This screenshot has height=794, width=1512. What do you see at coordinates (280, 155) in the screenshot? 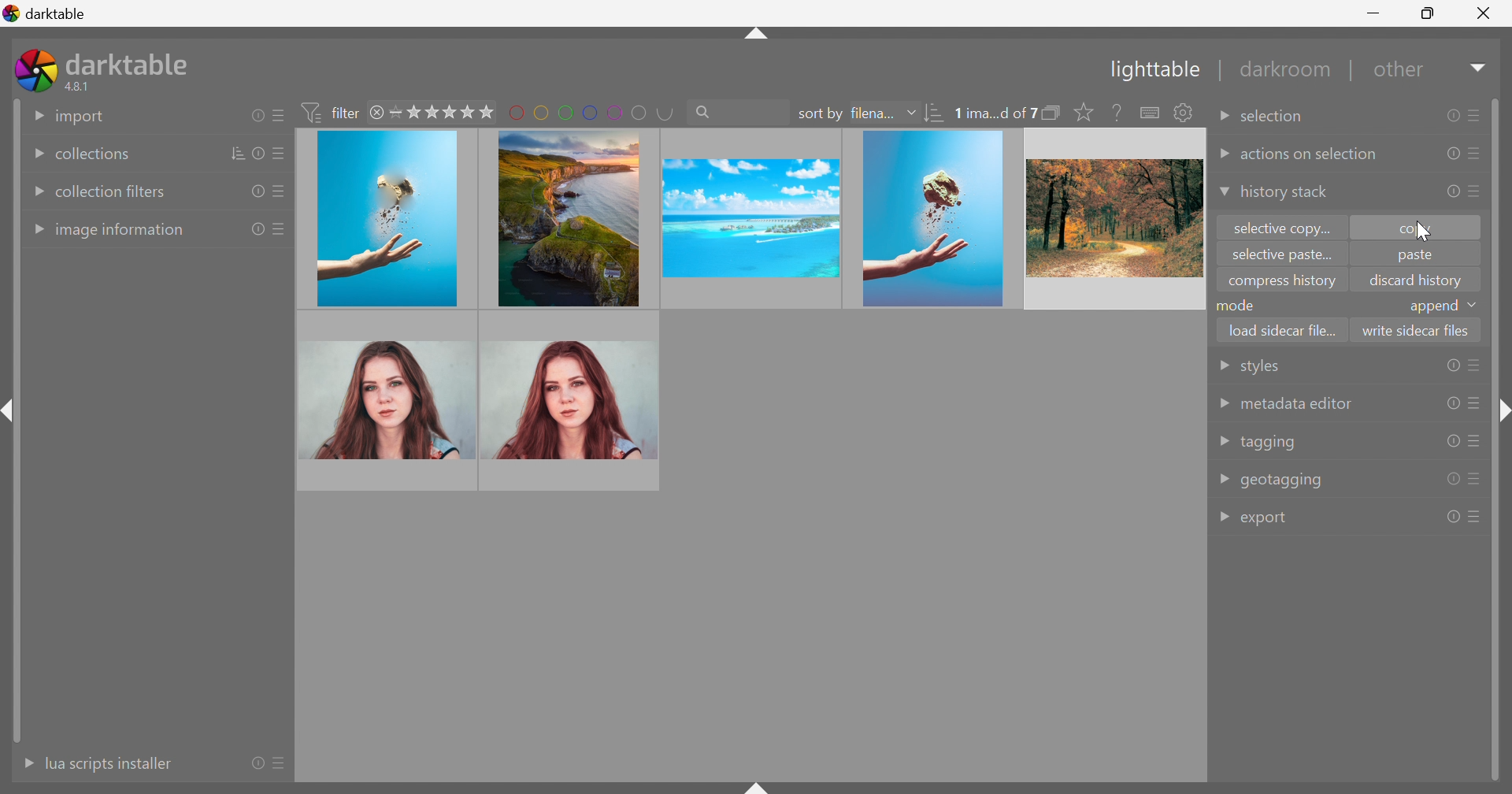
I see `presets` at bounding box center [280, 155].